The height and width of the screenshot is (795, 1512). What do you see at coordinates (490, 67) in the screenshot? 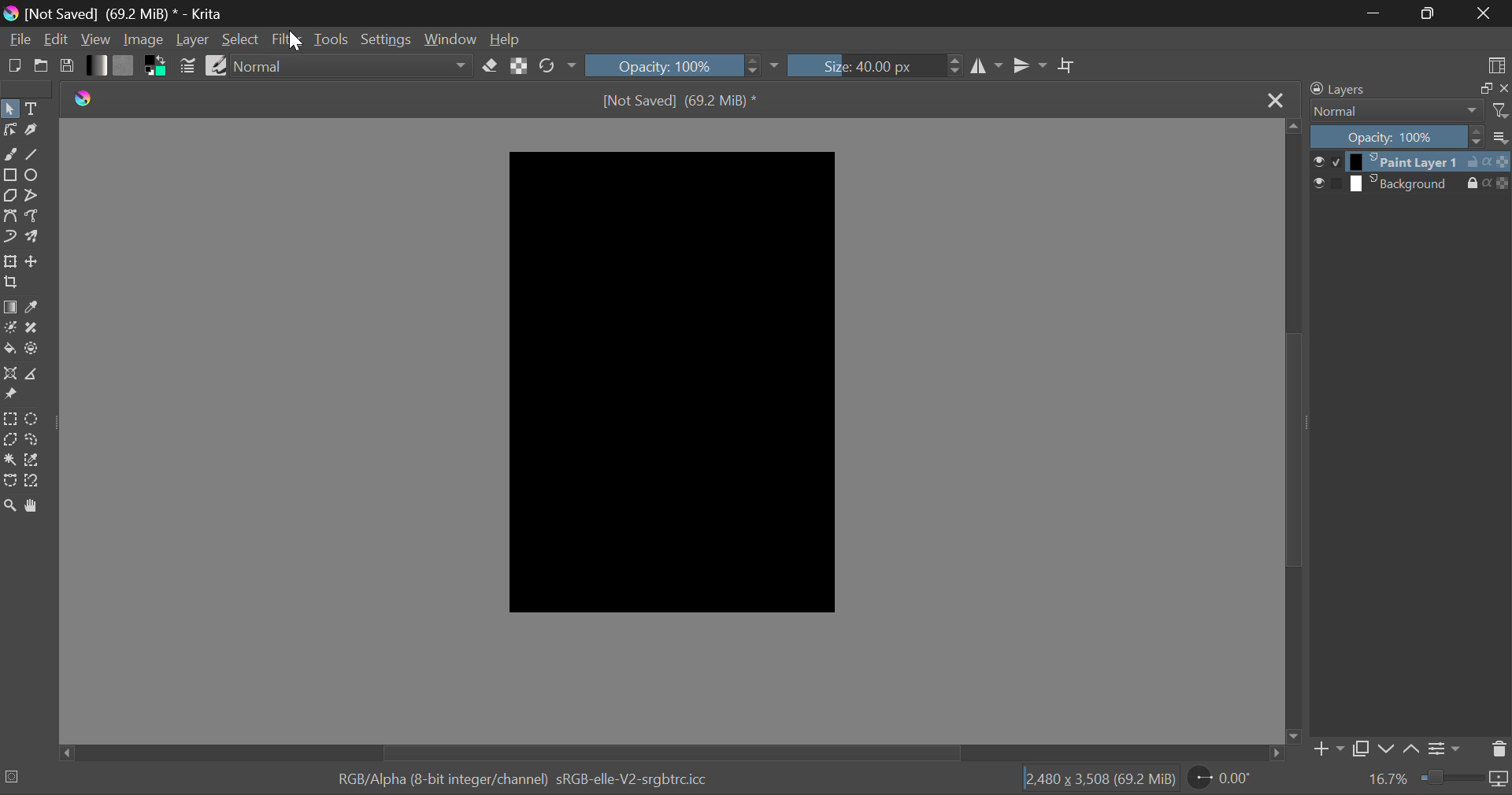
I see `Eraser` at bounding box center [490, 67].